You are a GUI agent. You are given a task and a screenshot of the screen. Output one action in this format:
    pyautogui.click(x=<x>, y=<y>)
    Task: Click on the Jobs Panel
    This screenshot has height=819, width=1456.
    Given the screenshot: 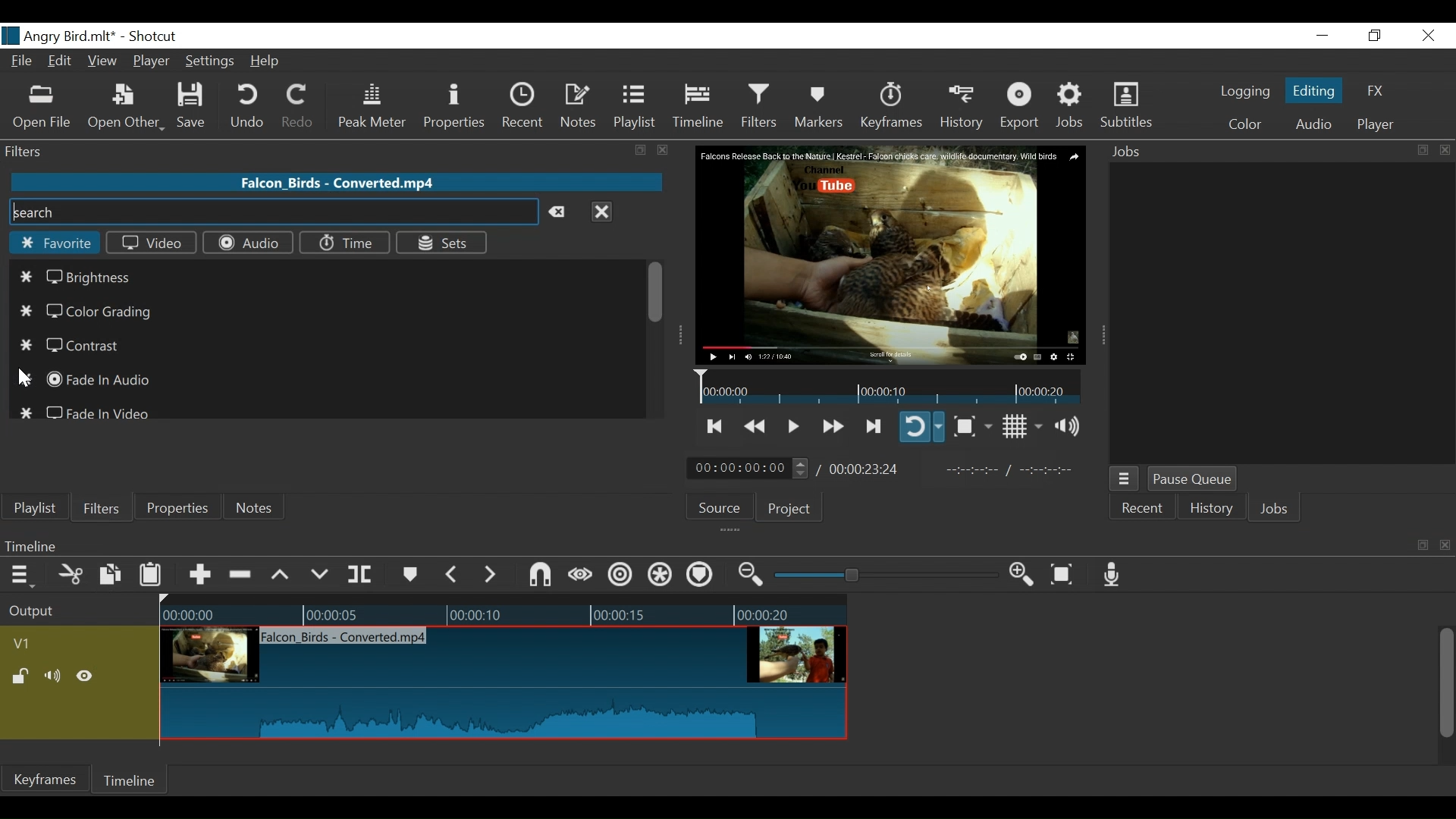 What is the action you would take?
    pyautogui.click(x=1284, y=310)
    